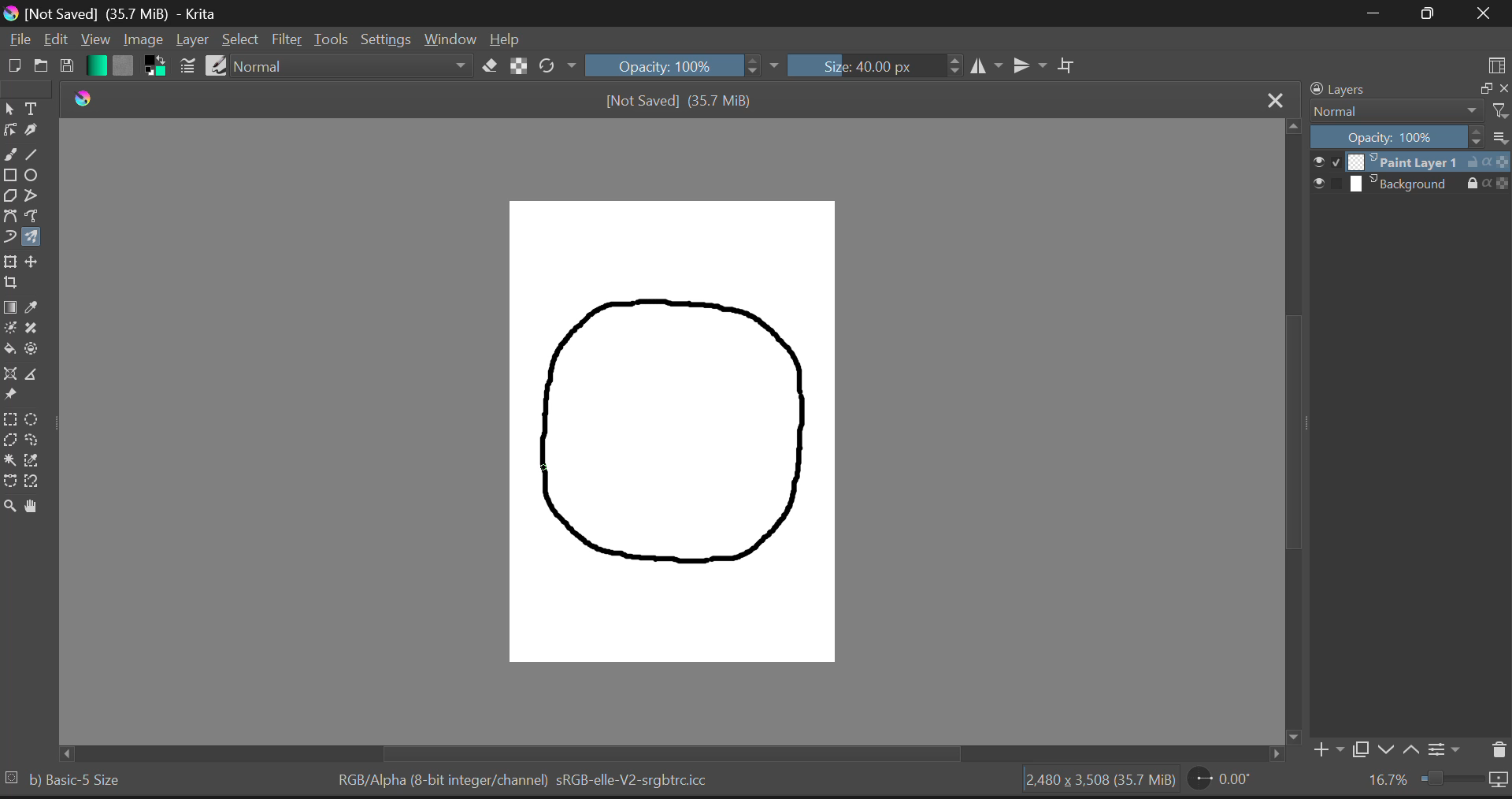 The image size is (1512, 799). I want to click on Bezier Curve Selection, so click(9, 482).